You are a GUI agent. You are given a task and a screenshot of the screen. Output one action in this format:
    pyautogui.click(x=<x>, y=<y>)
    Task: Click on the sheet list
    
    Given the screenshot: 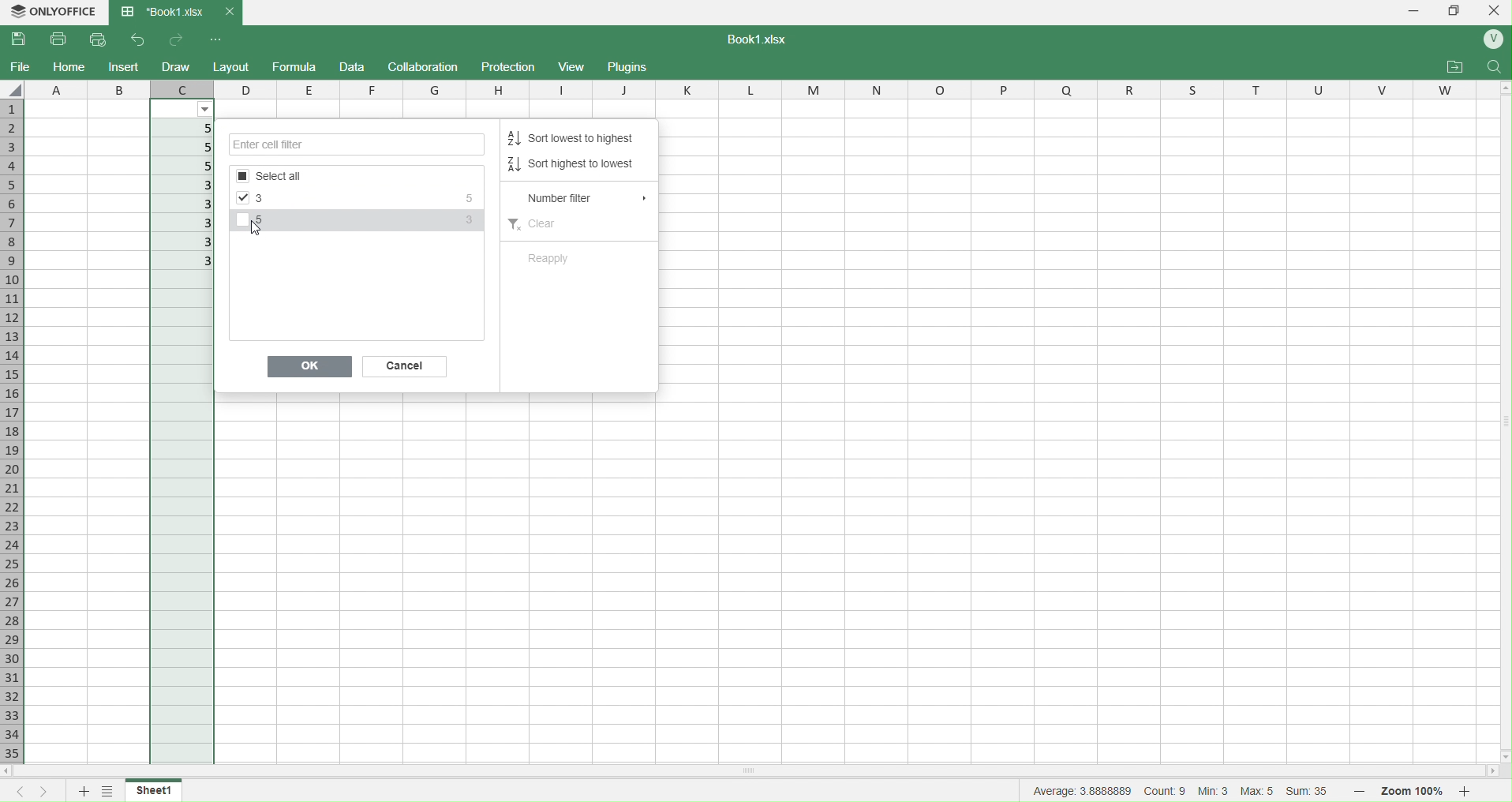 What is the action you would take?
    pyautogui.click(x=110, y=789)
    